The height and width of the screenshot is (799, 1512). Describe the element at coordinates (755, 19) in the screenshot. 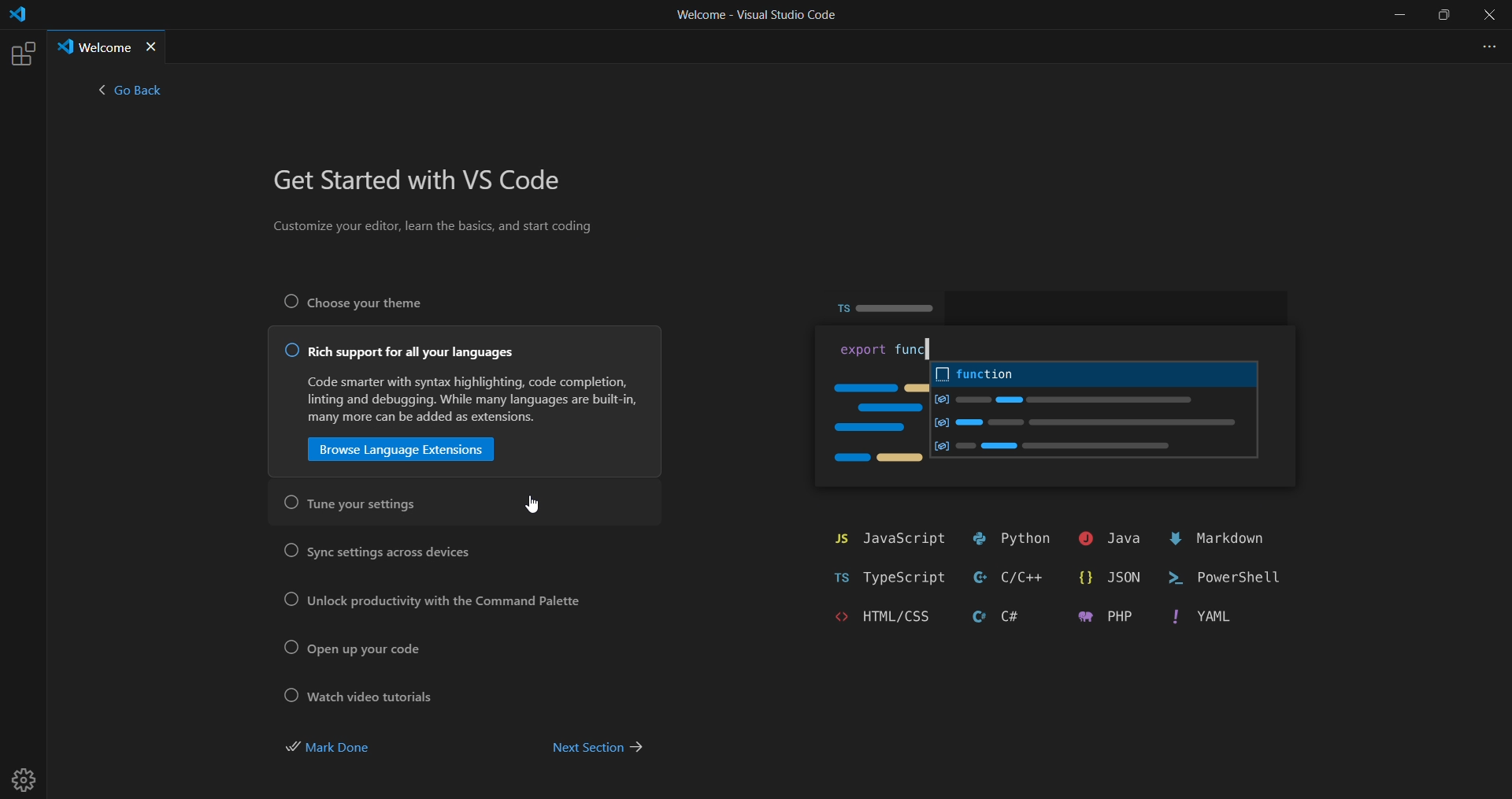

I see `Welcome - Visual Studio Code` at that location.